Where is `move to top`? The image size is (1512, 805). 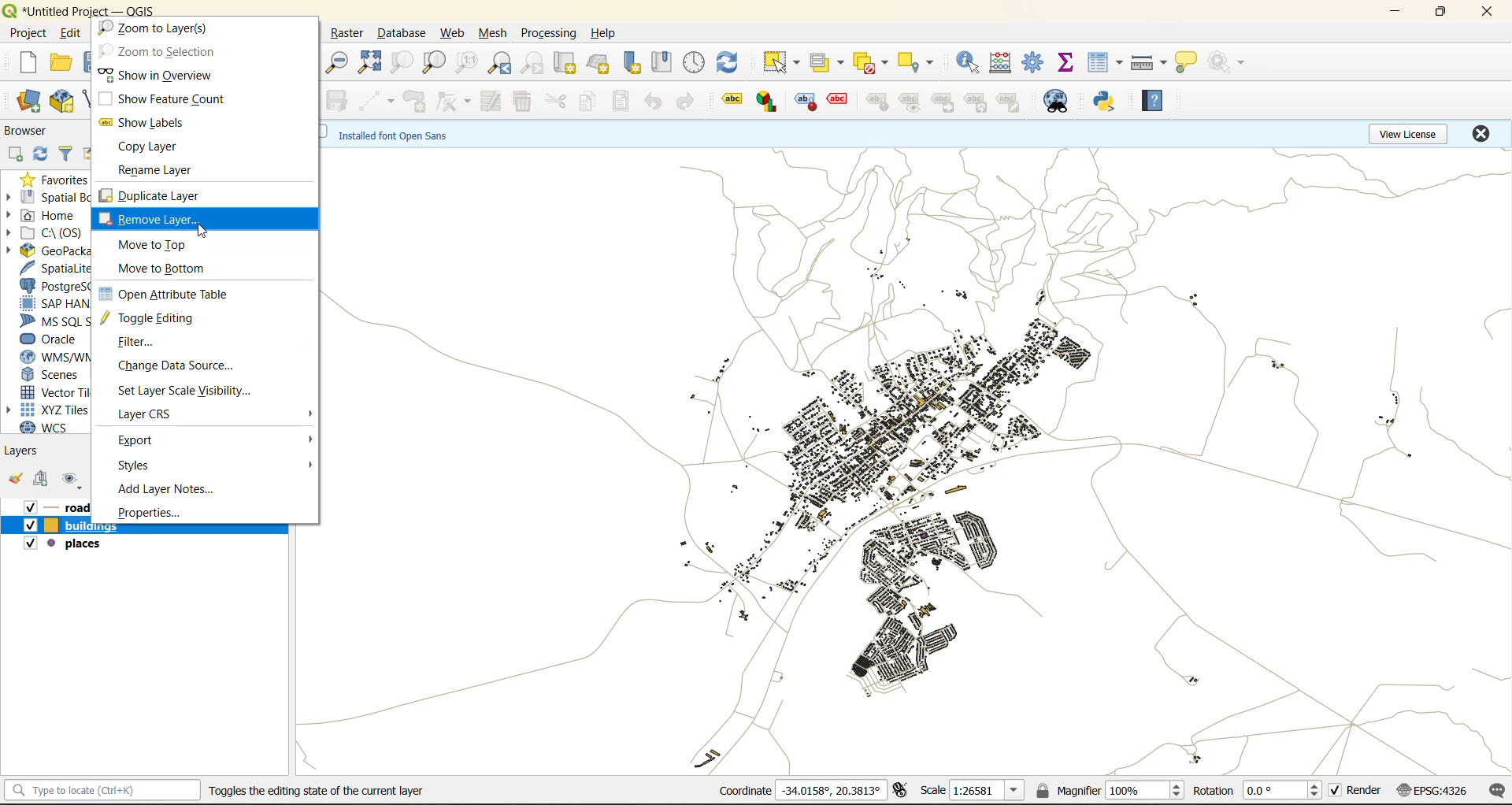
move to top is located at coordinates (155, 246).